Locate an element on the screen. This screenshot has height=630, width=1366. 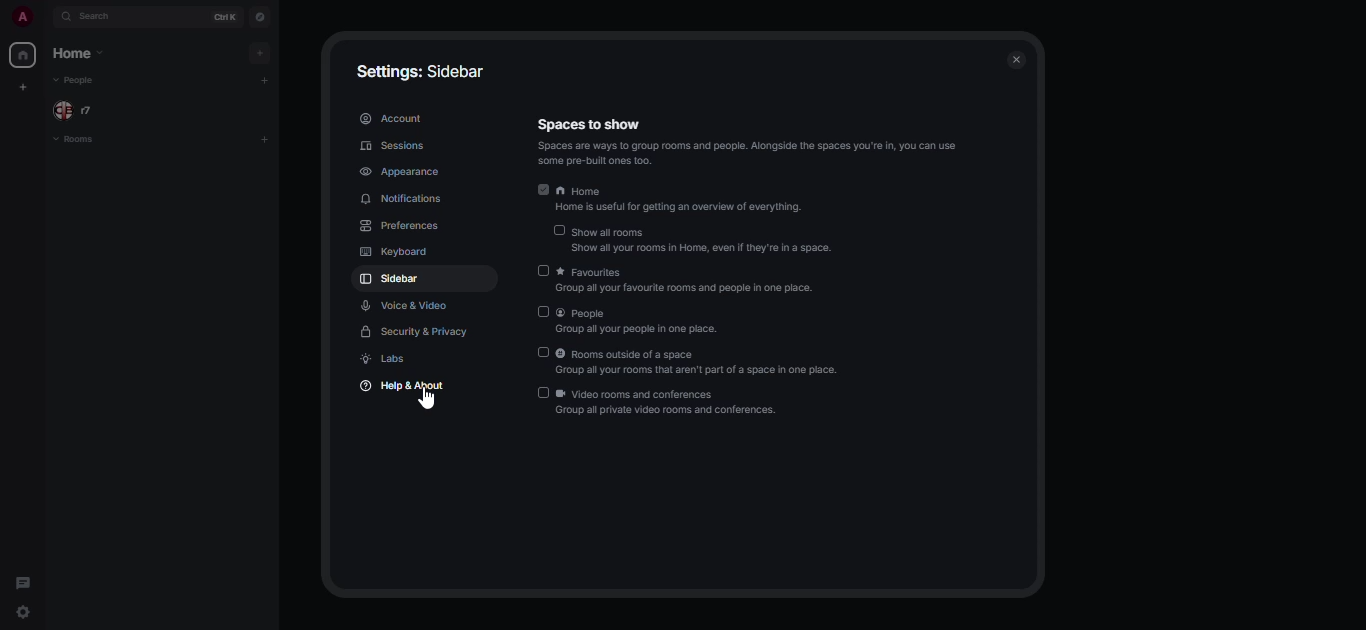
favorites group all your favorite rooms and people in one place is located at coordinates (694, 280).